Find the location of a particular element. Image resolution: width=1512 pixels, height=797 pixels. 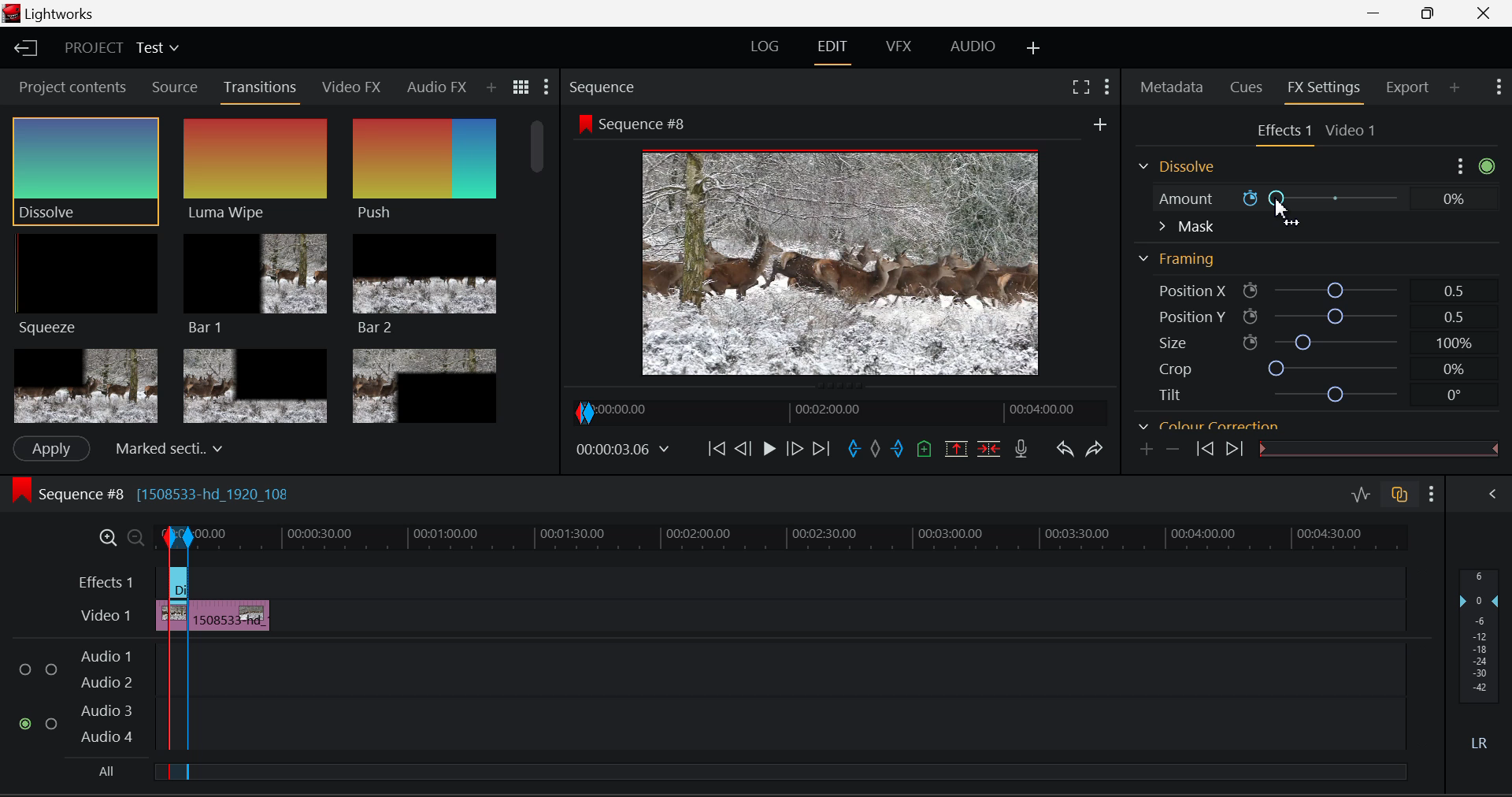

Project Timeline is located at coordinates (802, 536).